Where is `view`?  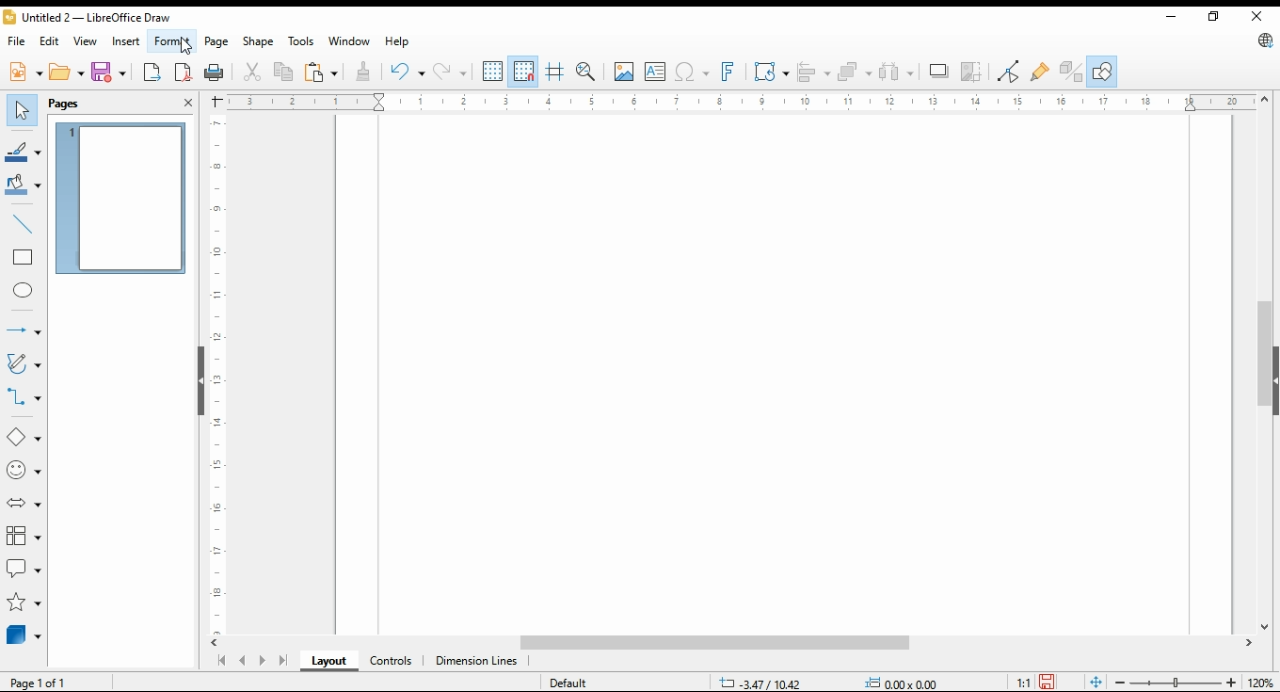
view is located at coordinates (86, 41).